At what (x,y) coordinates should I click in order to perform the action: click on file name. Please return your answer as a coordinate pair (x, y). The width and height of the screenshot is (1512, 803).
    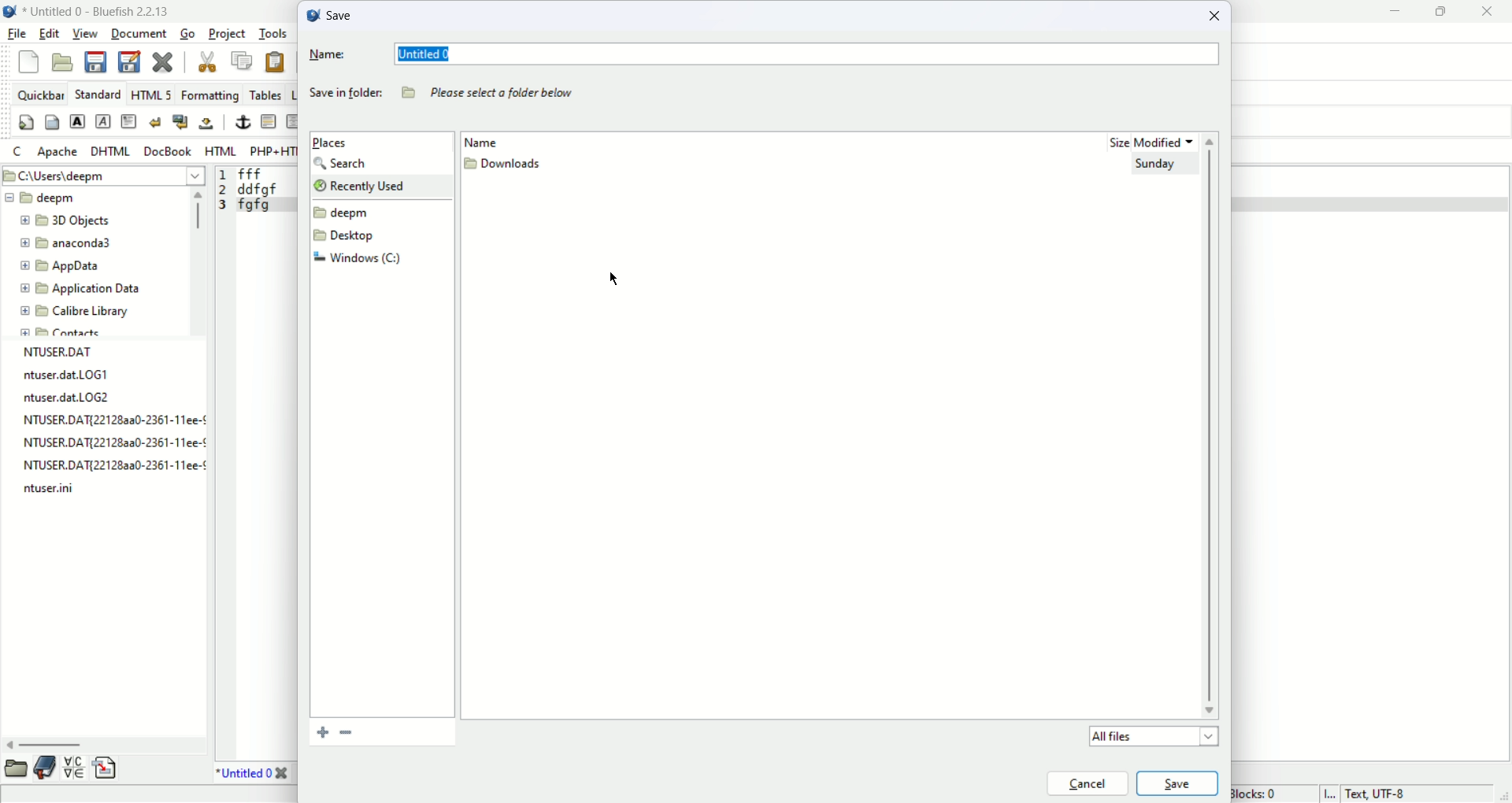
    Looking at the image, I should click on (106, 420).